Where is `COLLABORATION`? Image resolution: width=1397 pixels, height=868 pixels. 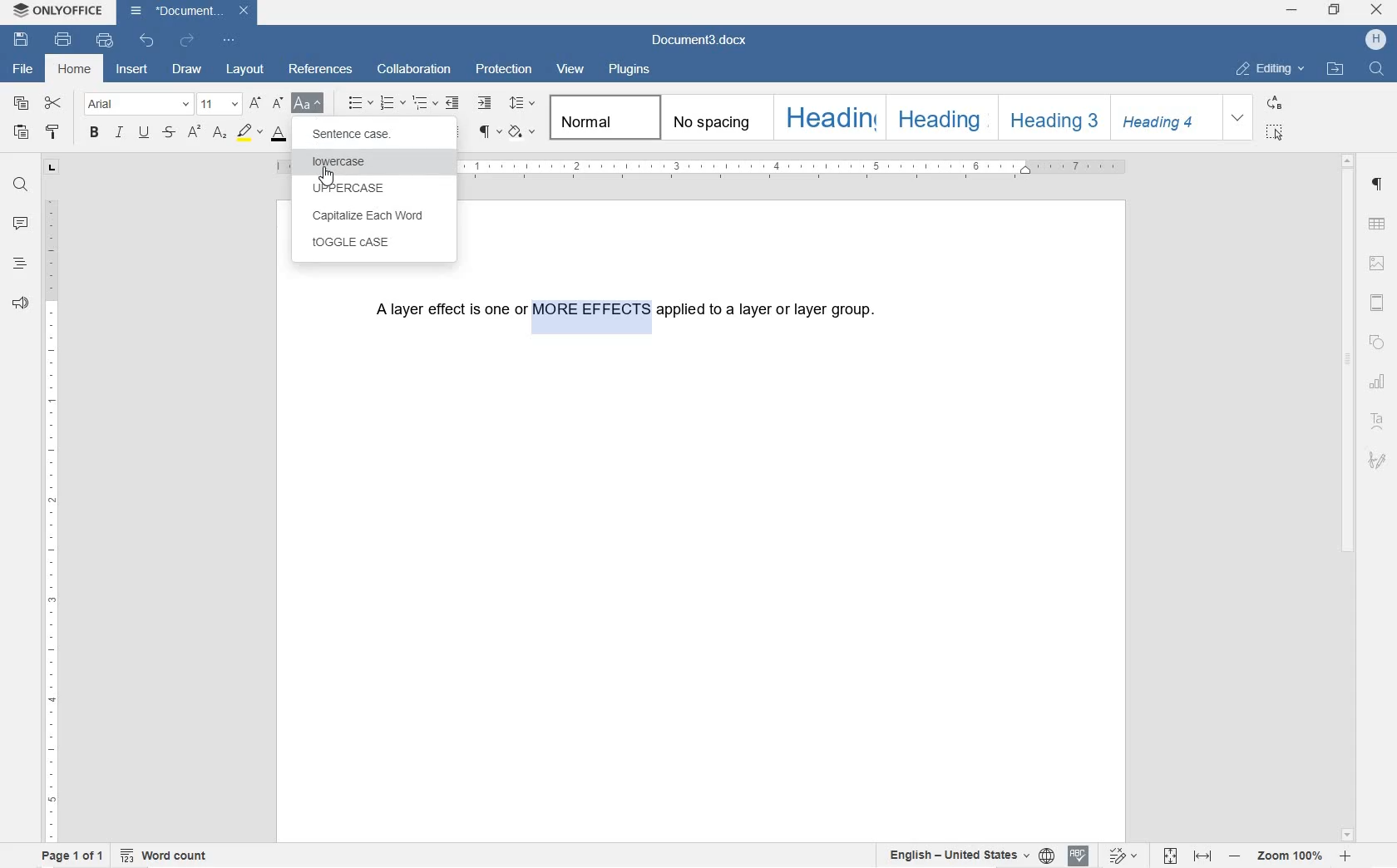
COLLABORATION is located at coordinates (414, 68).